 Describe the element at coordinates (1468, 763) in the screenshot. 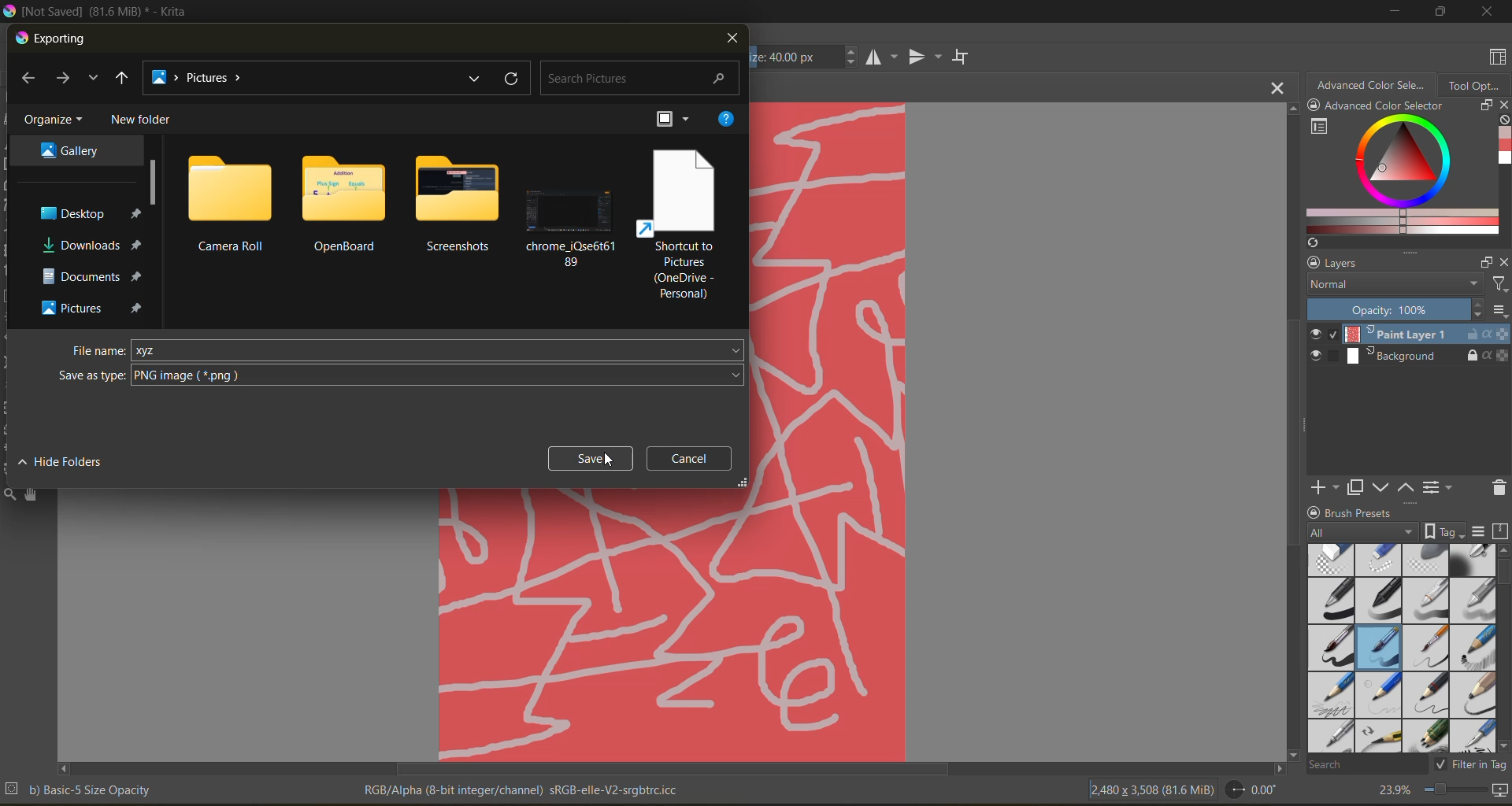

I see `filter tag` at that location.